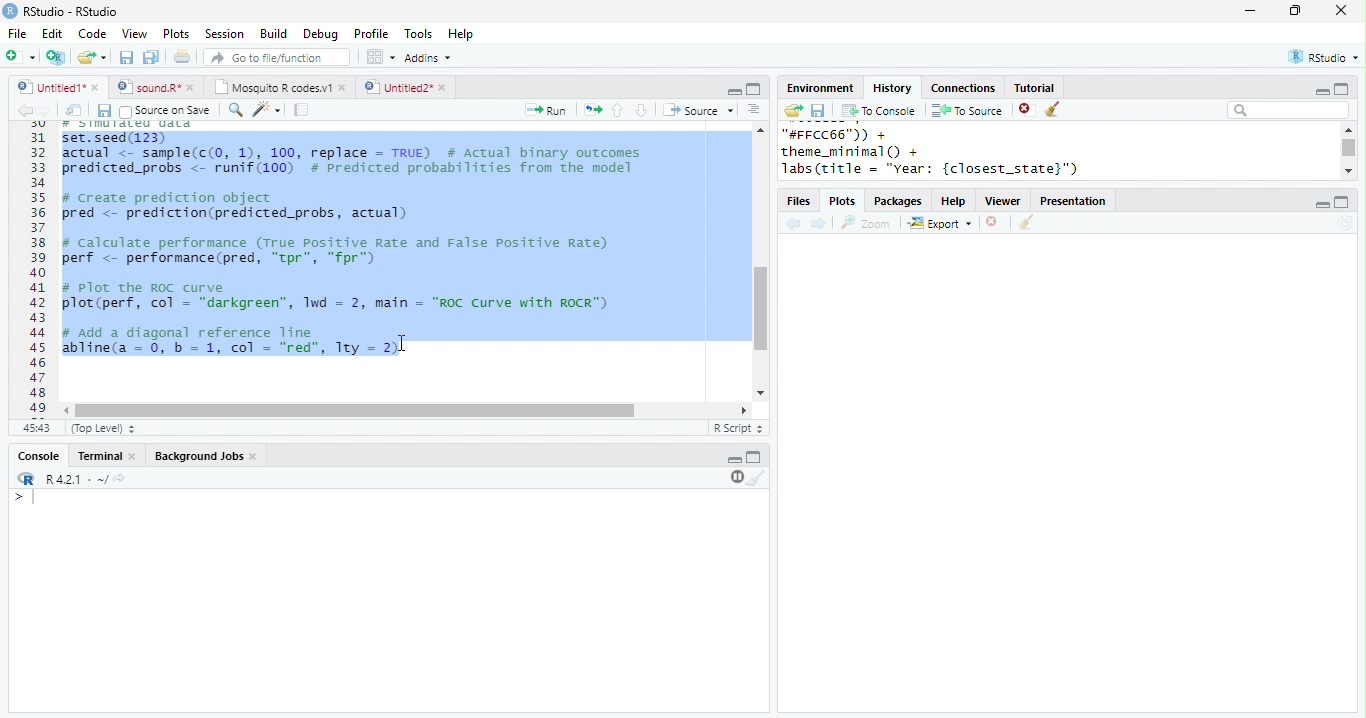  What do you see at coordinates (177, 33) in the screenshot?
I see `Plots` at bounding box center [177, 33].